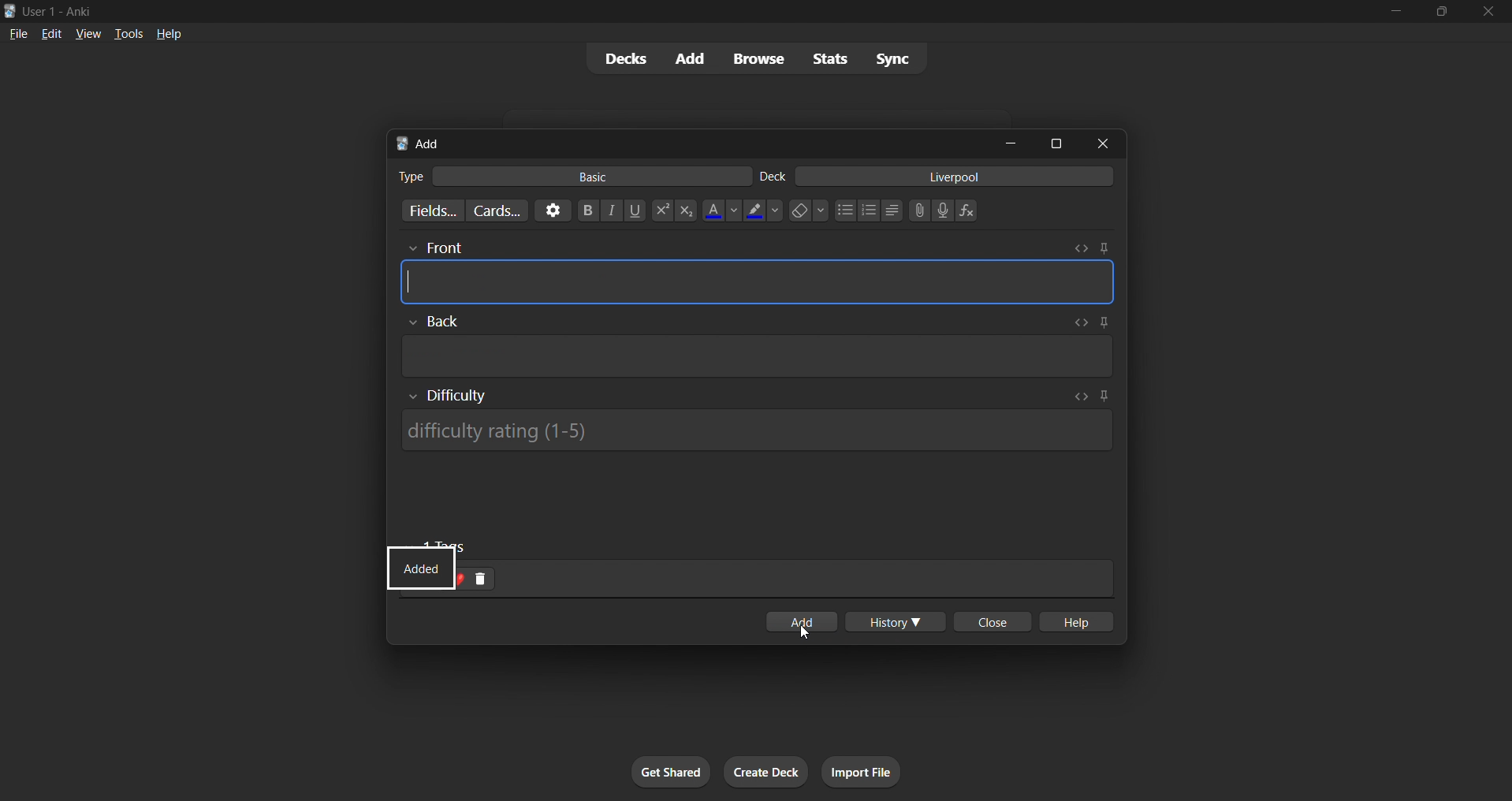  I want to click on hlep, so click(1078, 623).